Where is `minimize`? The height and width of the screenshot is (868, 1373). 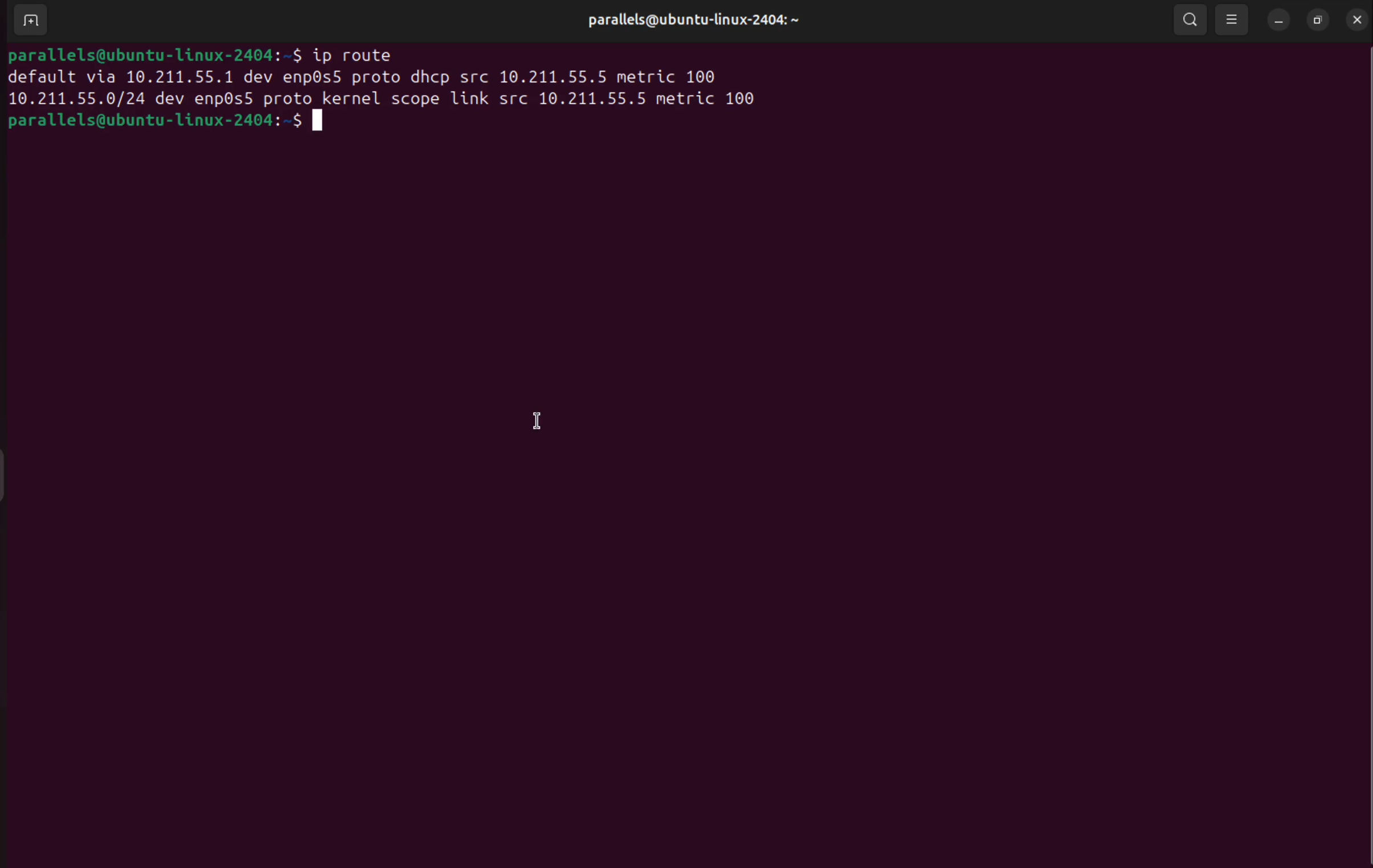 minimize is located at coordinates (1278, 20).